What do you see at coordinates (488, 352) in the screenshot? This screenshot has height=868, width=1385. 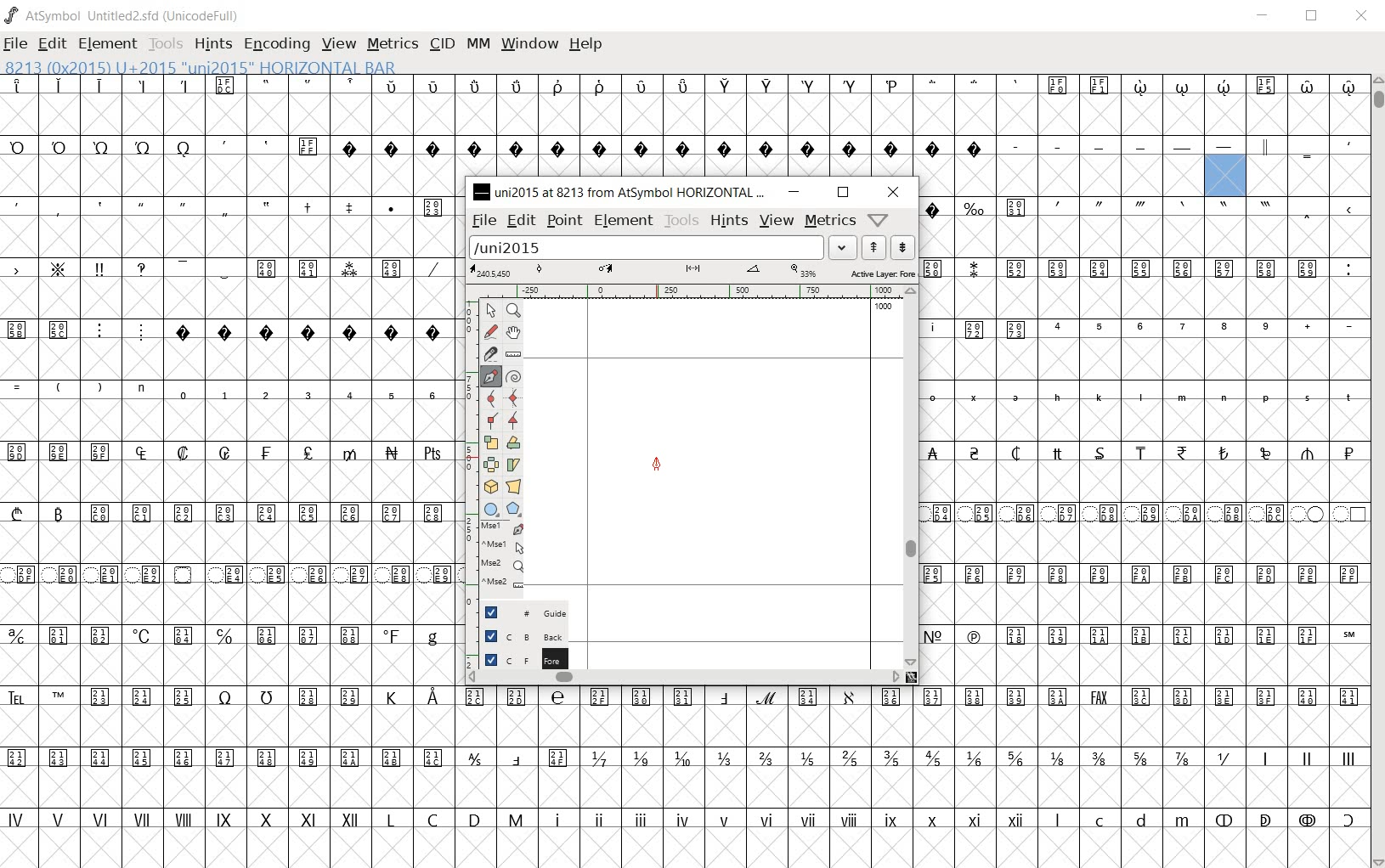 I see `cut splines in two` at bounding box center [488, 352].